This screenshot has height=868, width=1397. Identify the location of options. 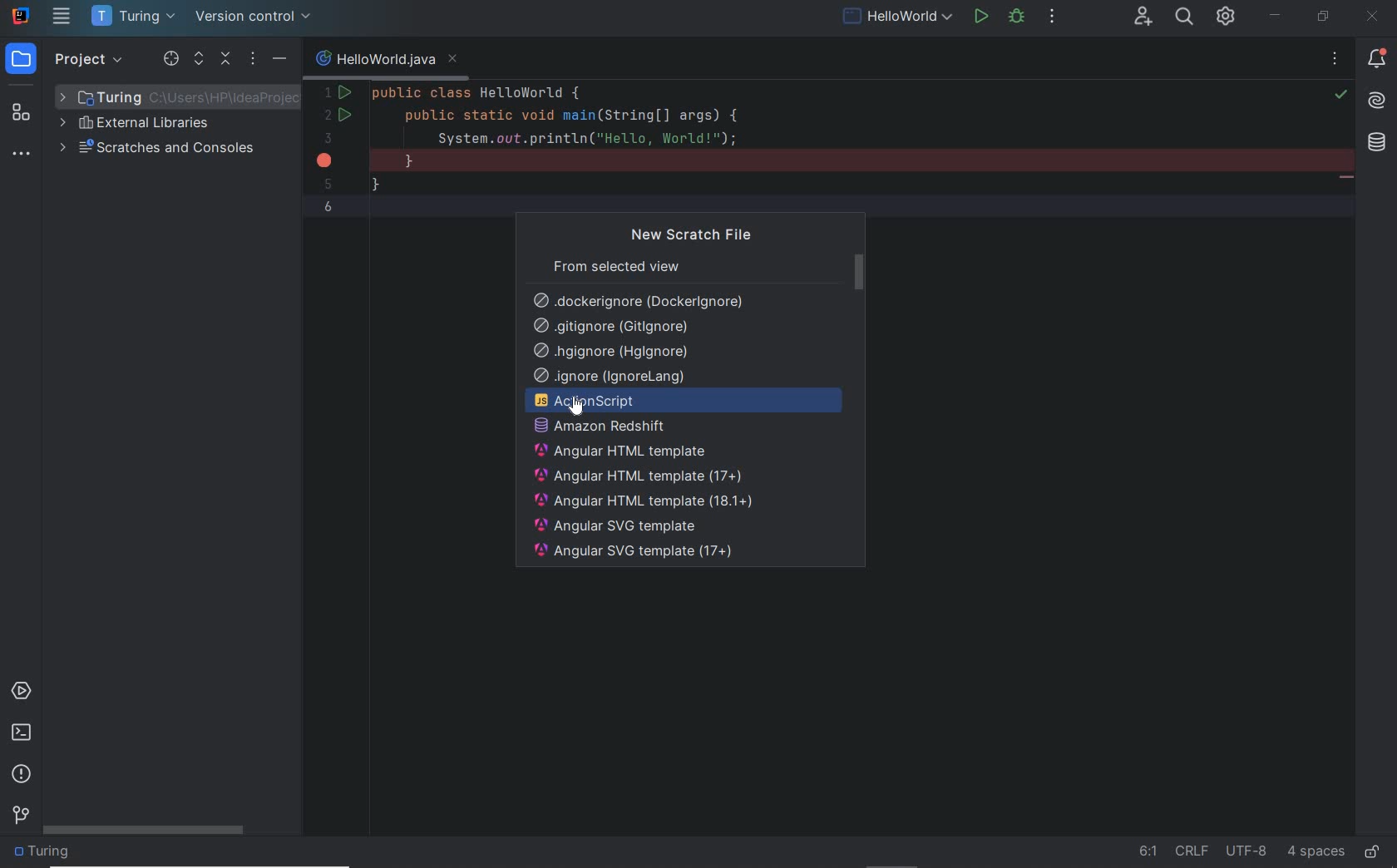
(255, 60).